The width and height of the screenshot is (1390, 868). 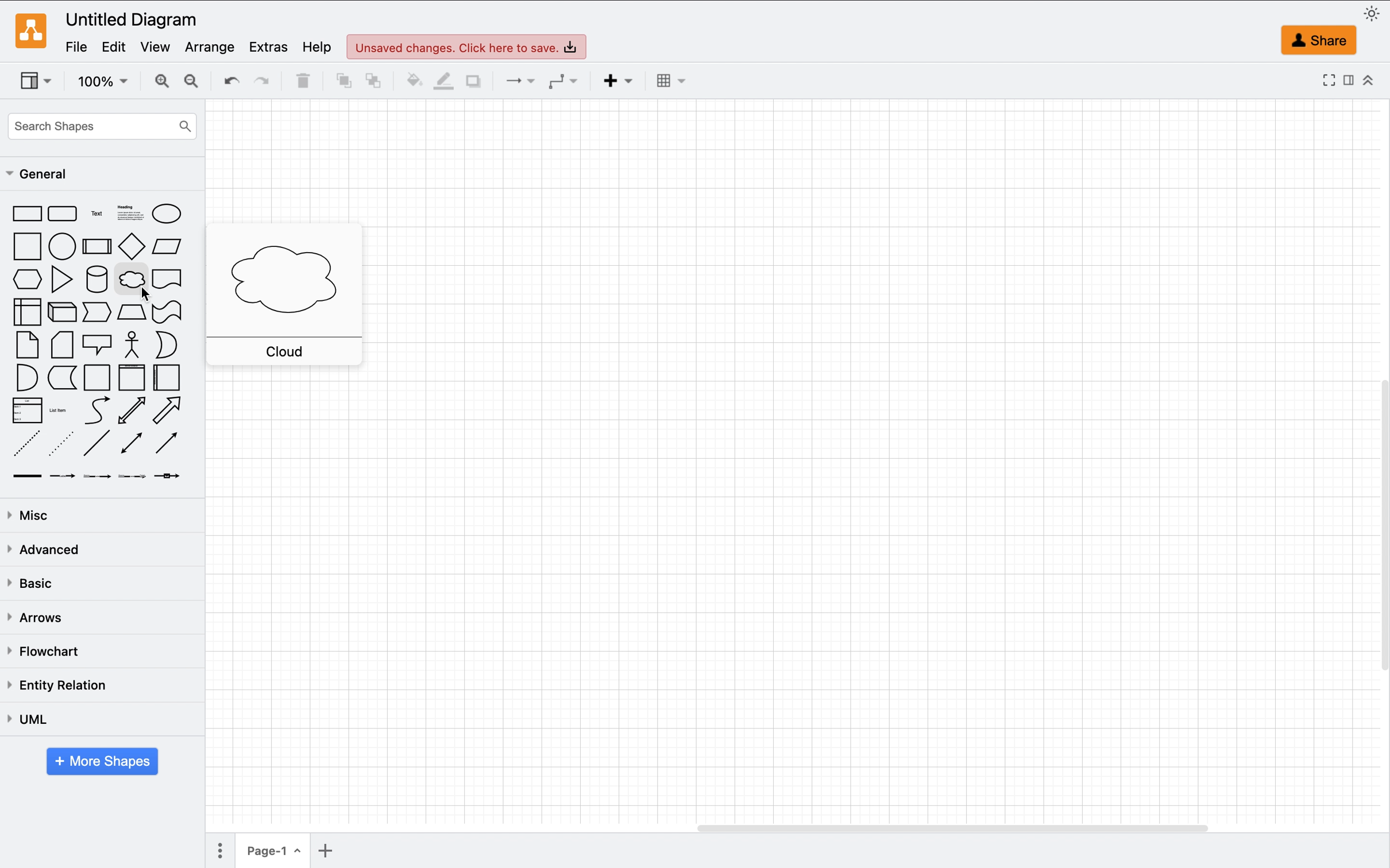 What do you see at coordinates (94, 412) in the screenshot?
I see `curve` at bounding box center [94, 412].